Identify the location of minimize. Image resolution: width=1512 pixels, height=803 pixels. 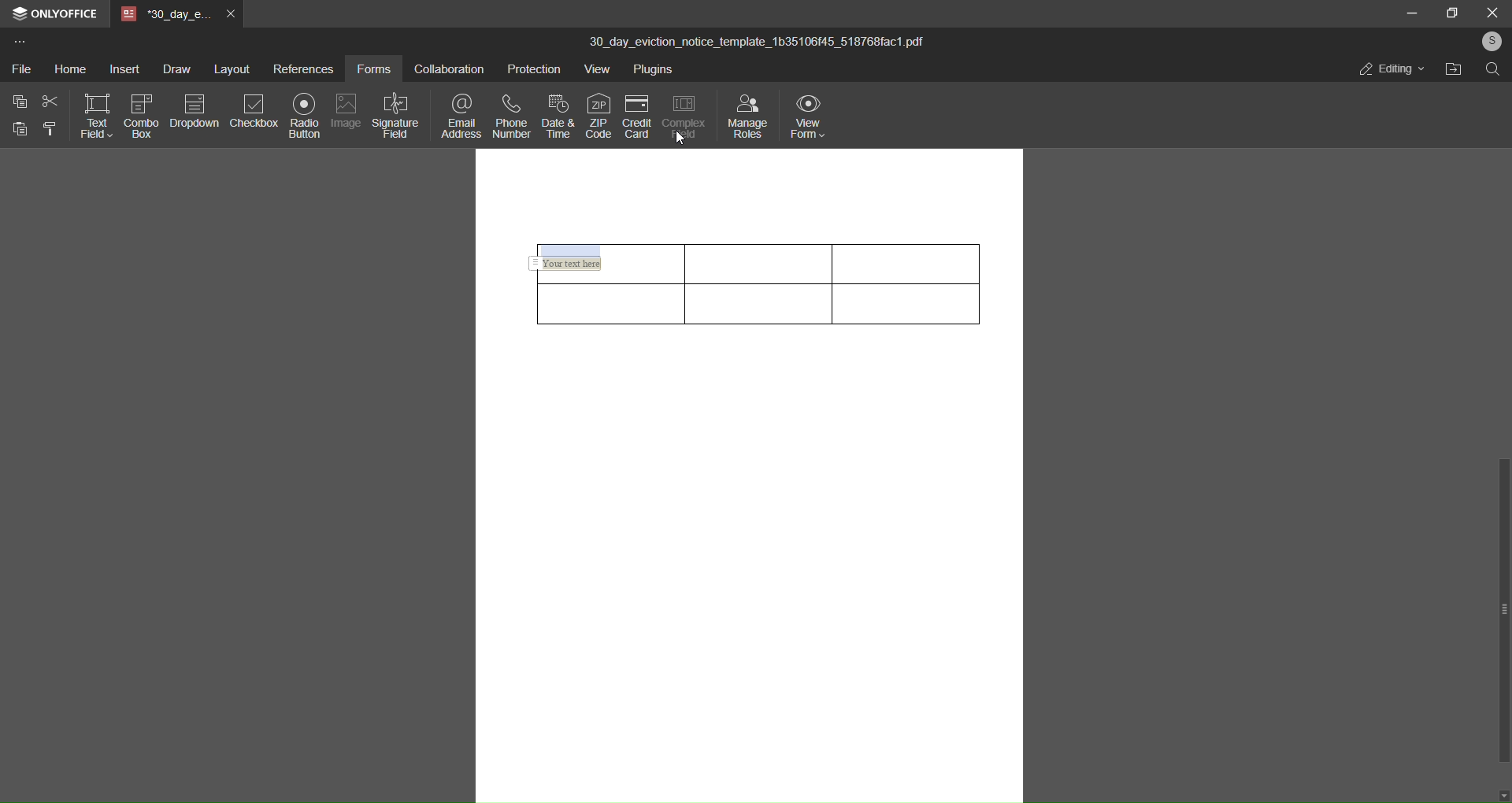
(1414, 14).